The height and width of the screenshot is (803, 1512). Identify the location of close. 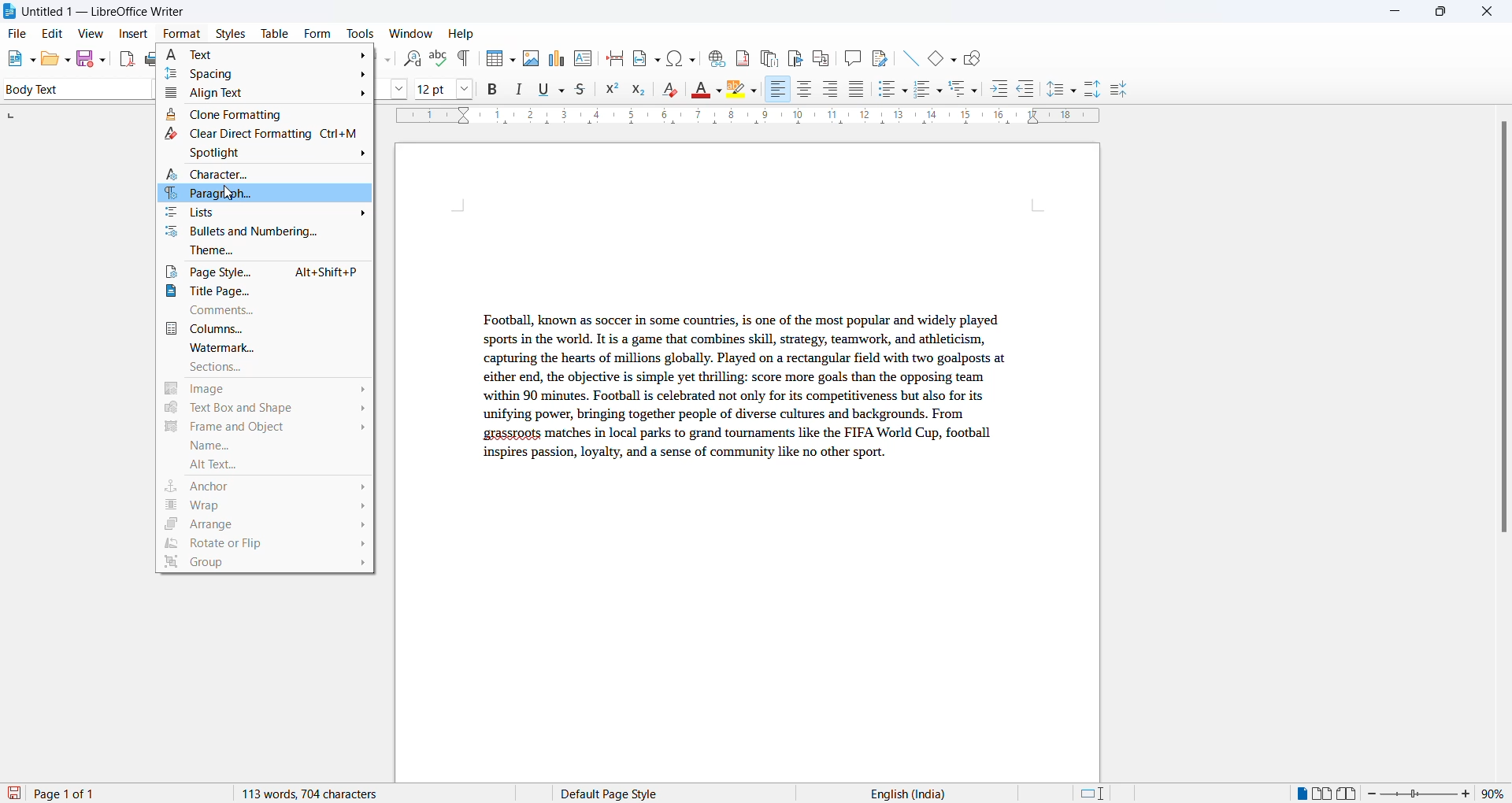
(1491, 13).